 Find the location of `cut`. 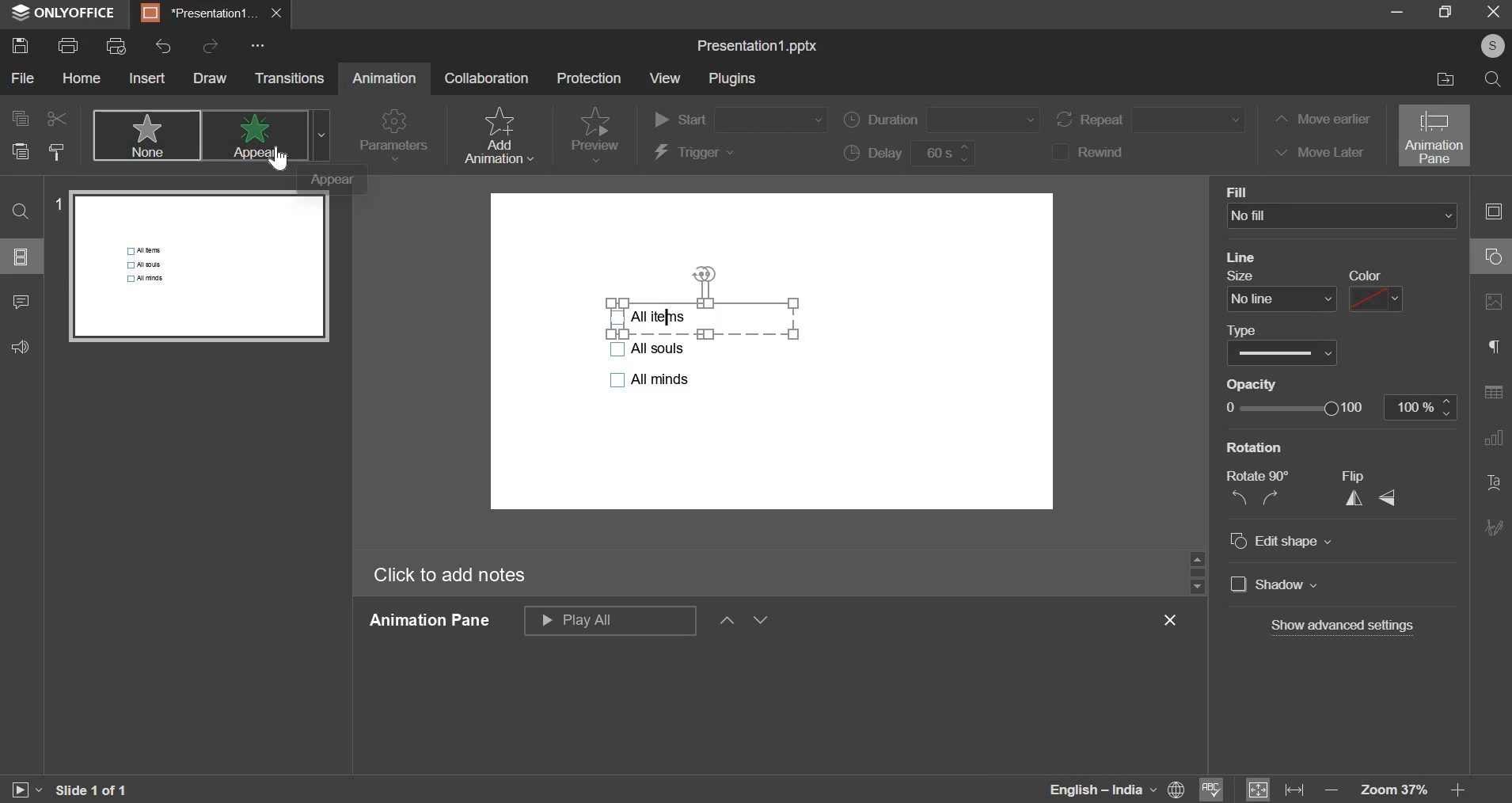

cut is located at coordinates (54, 118).